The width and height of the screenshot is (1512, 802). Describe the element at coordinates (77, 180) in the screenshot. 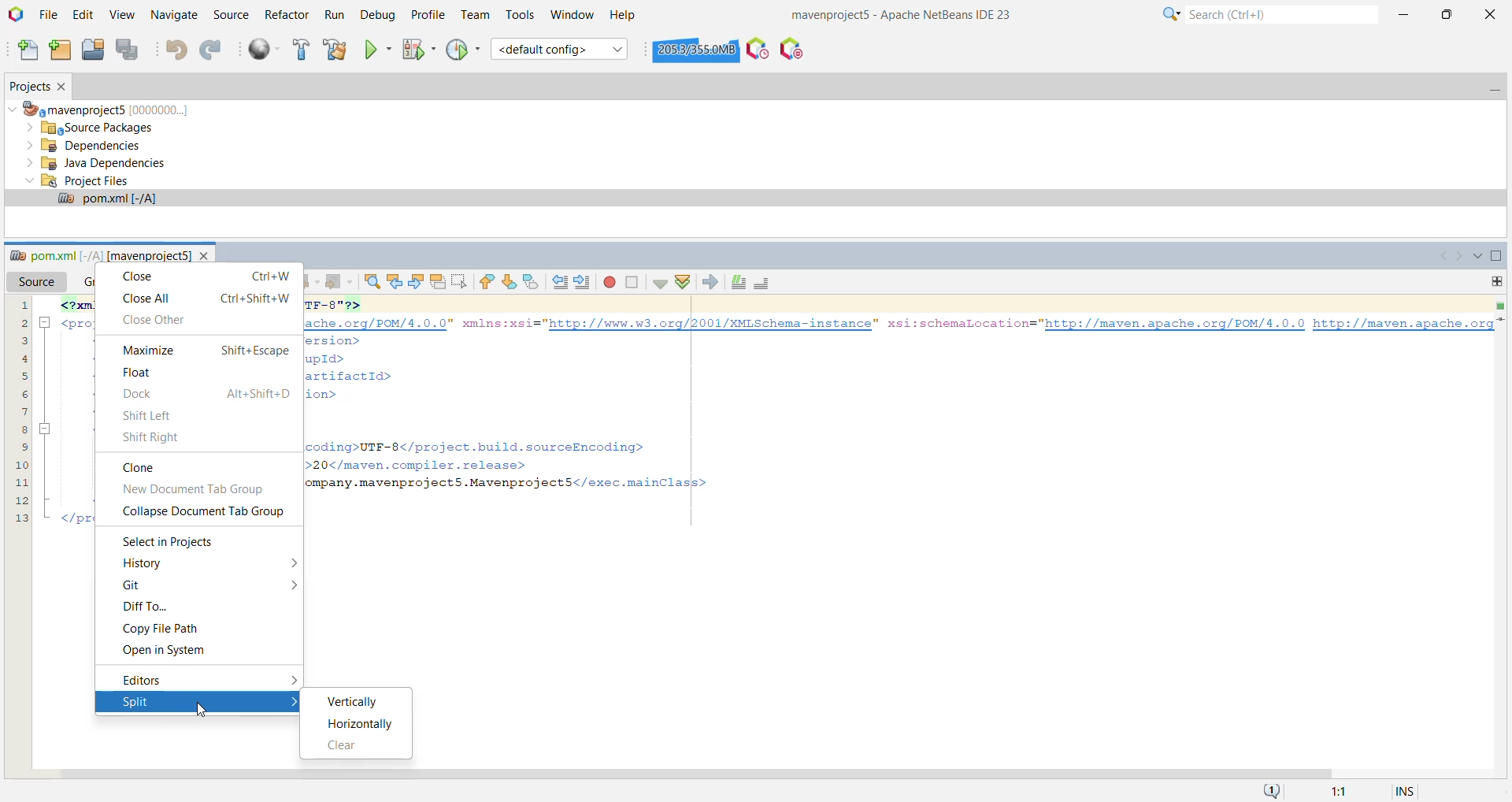

I see `Project Files` at that location.